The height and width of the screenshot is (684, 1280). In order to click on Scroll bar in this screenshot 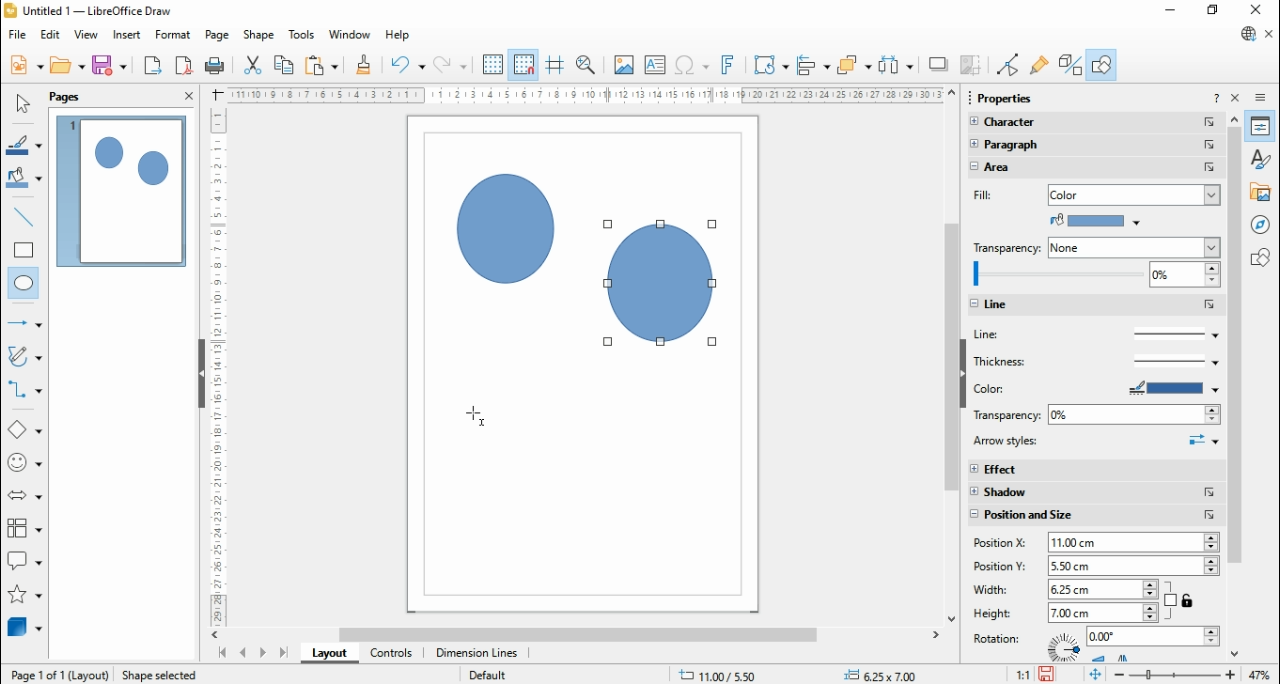, I will do `click(1235, 383)`.